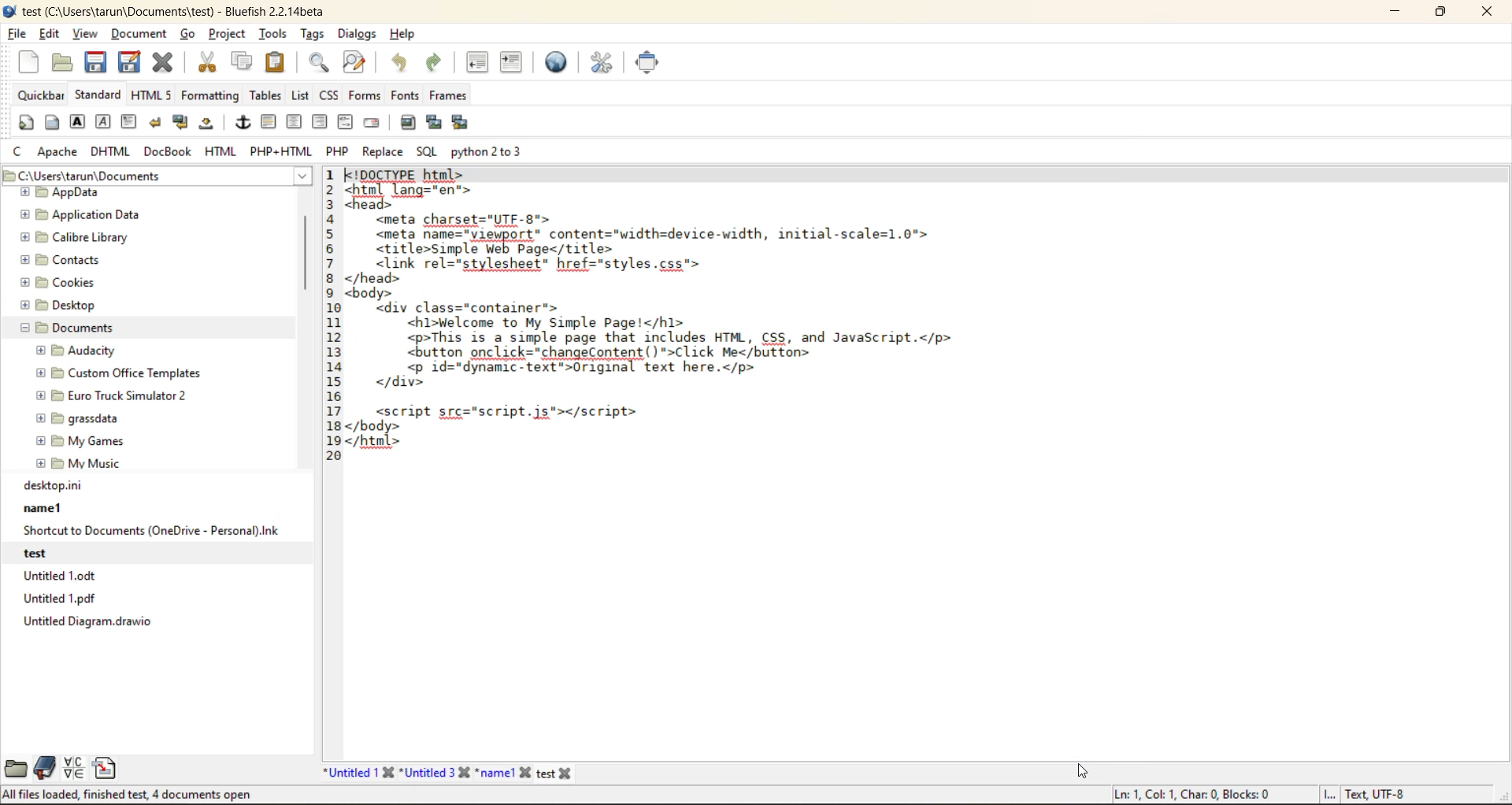 Image resolution: width=1512 pixels, height=805 pixels. I want to click on vertical scroll bar, so click(306, 255).